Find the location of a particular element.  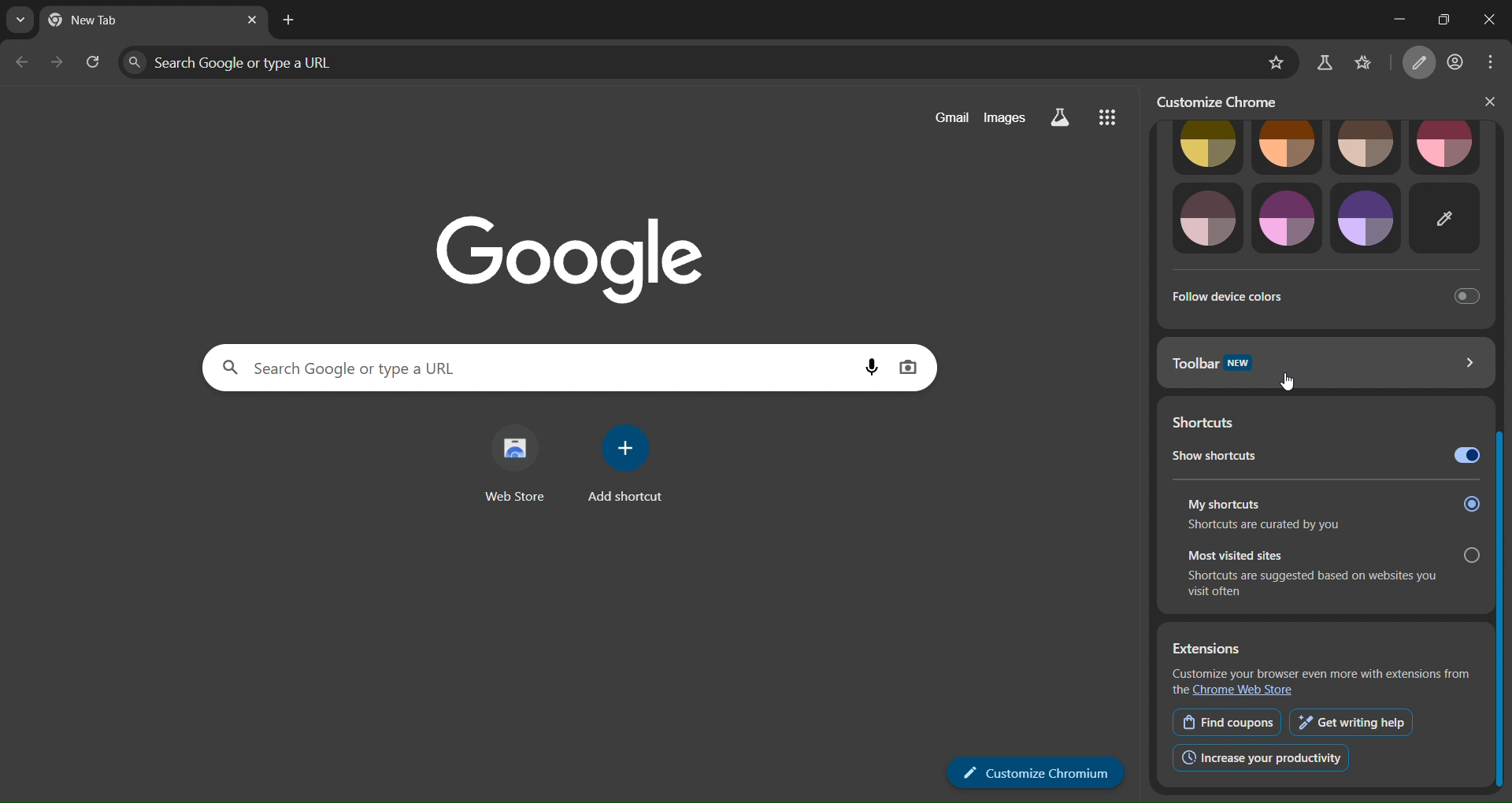

add shortcut is located at coordinates (632, 468).